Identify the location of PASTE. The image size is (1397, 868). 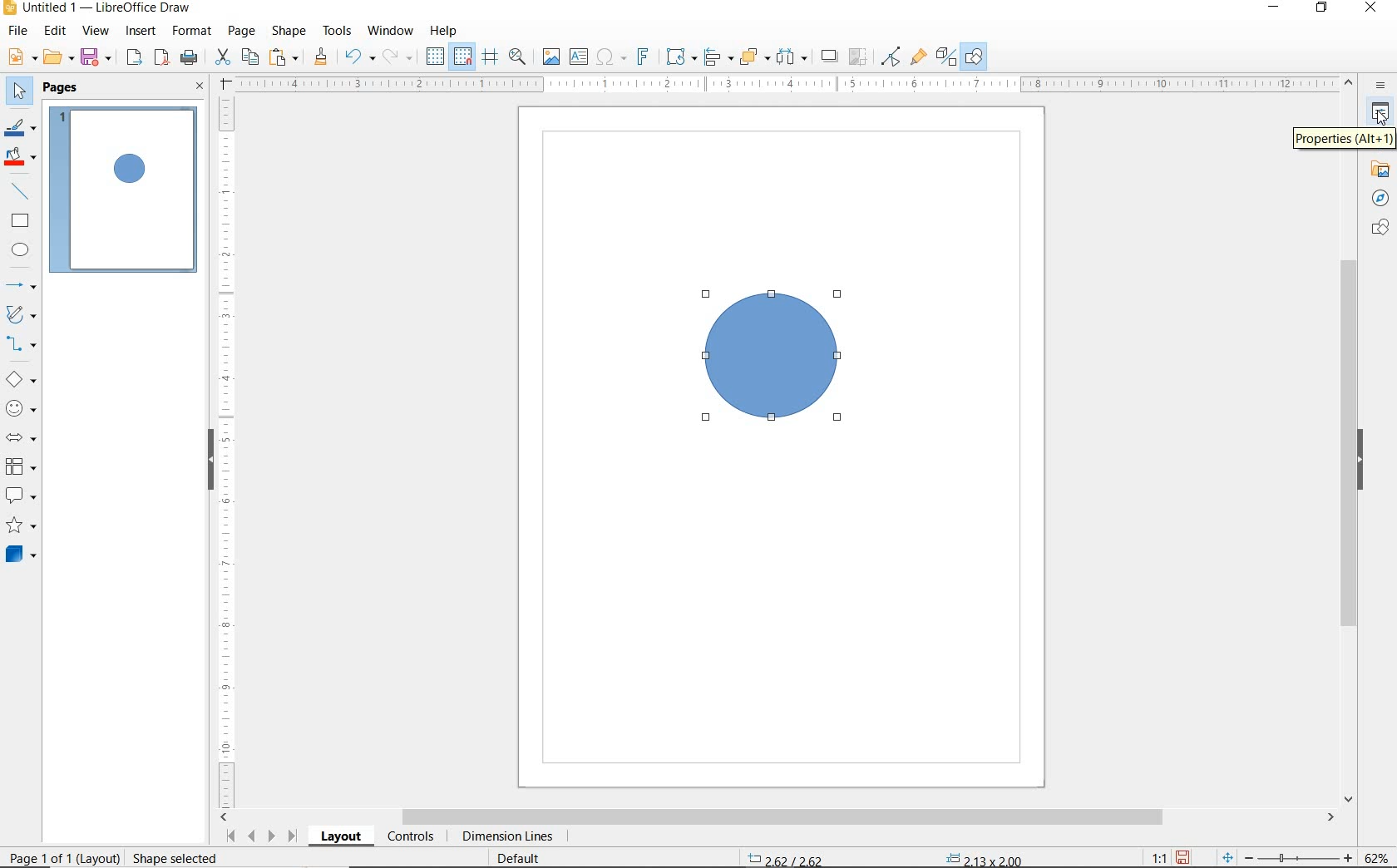
(287, 57).